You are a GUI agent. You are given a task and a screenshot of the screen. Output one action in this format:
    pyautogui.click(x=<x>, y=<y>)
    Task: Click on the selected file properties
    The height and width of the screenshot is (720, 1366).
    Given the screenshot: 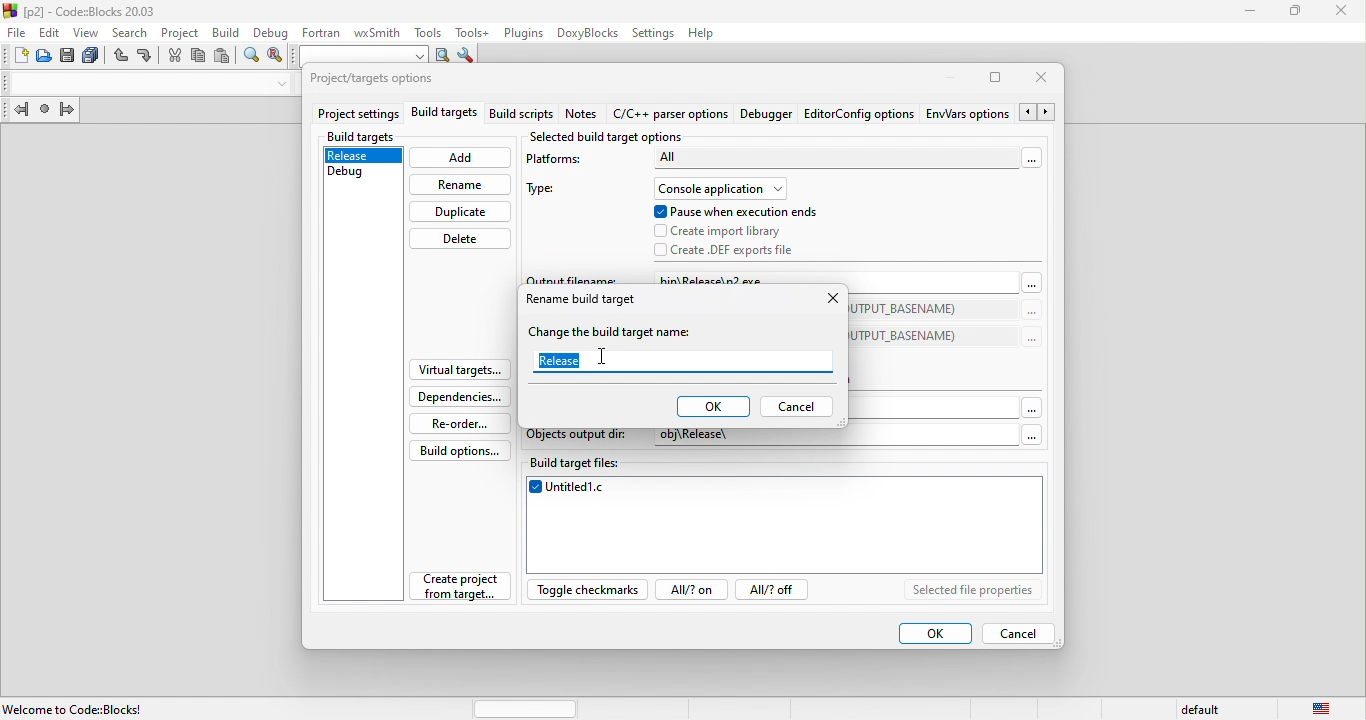 What is the action you would take?
    pyautogui.click(x=973, y=591)
    